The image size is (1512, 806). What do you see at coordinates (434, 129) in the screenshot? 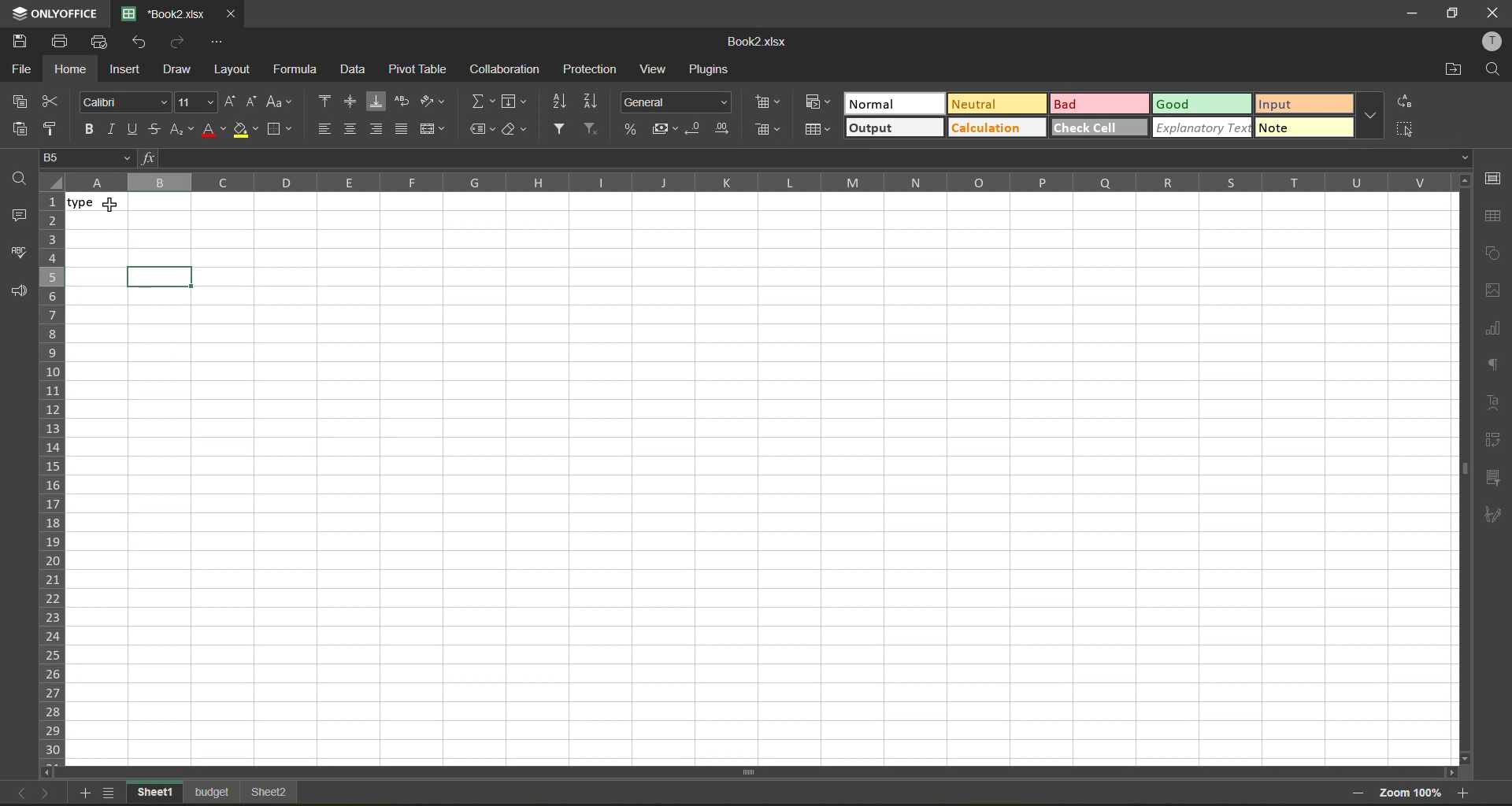
I see `merge and center` at bounding box center [434, 129].